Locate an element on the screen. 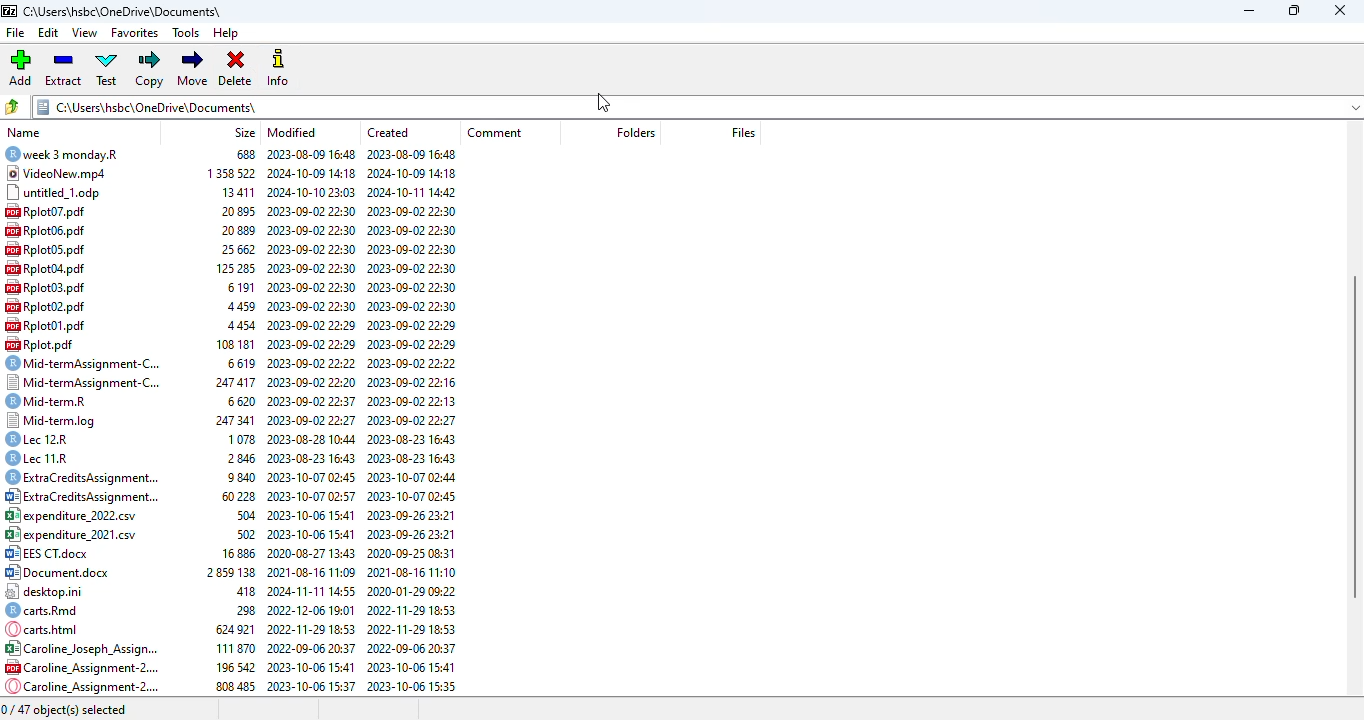 The width and height of the screenshot is (1364, 720). 2023-09-02 22:22 is located at coordinates (312, 363).